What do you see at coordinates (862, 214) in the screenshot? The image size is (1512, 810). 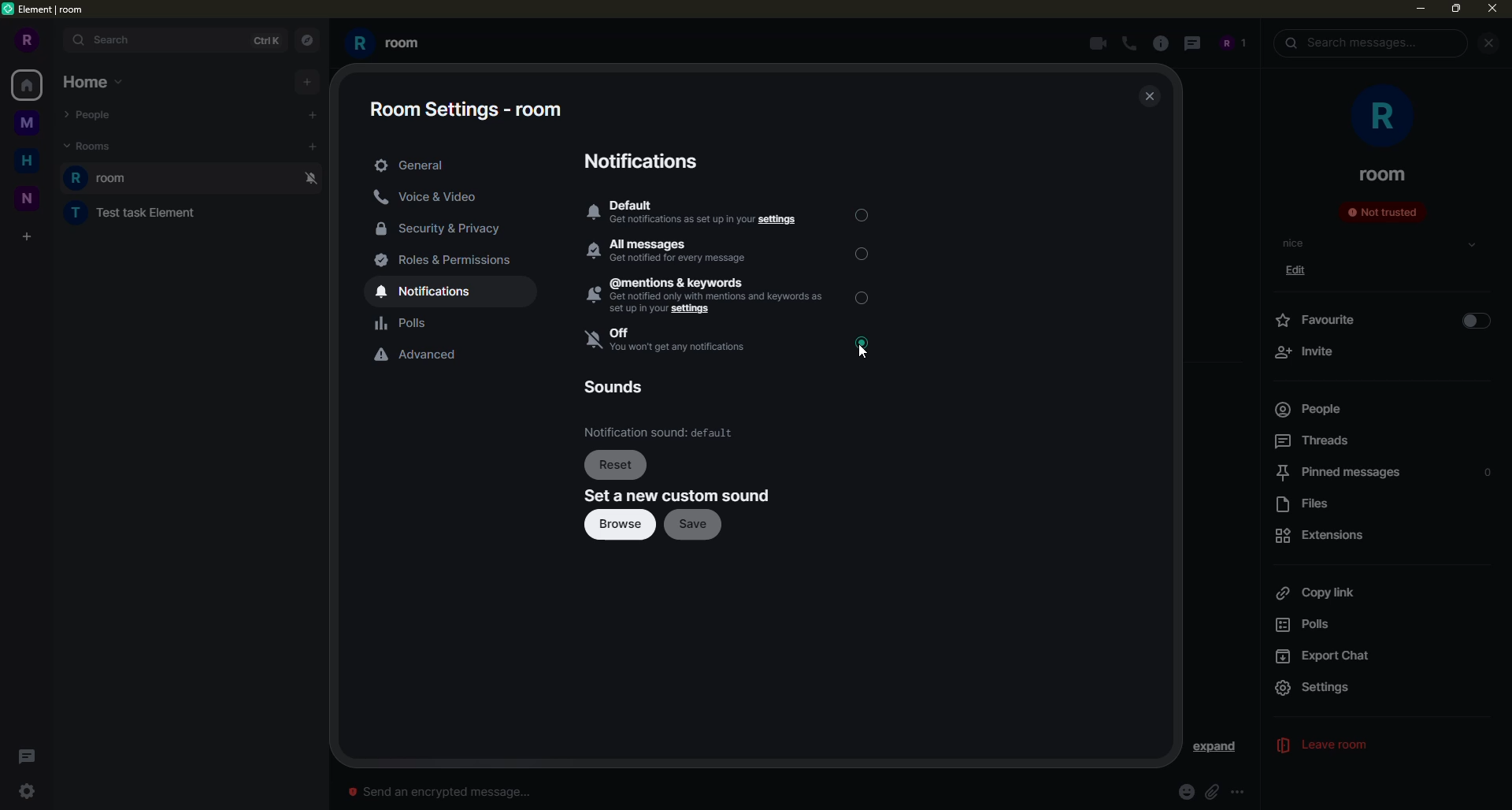 I see `selected` at bounding box center [862, 214].